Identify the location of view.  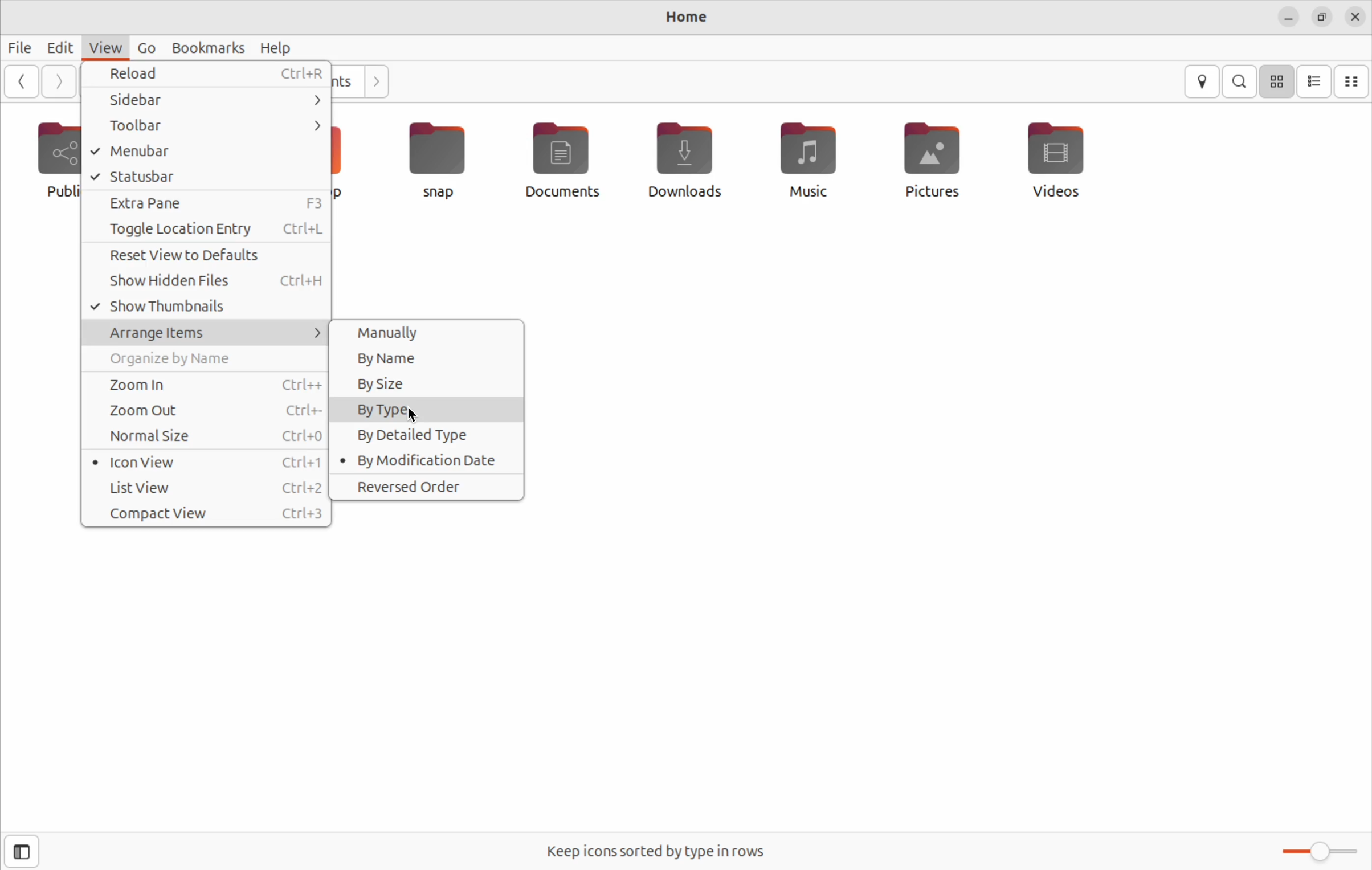
(103, 46).